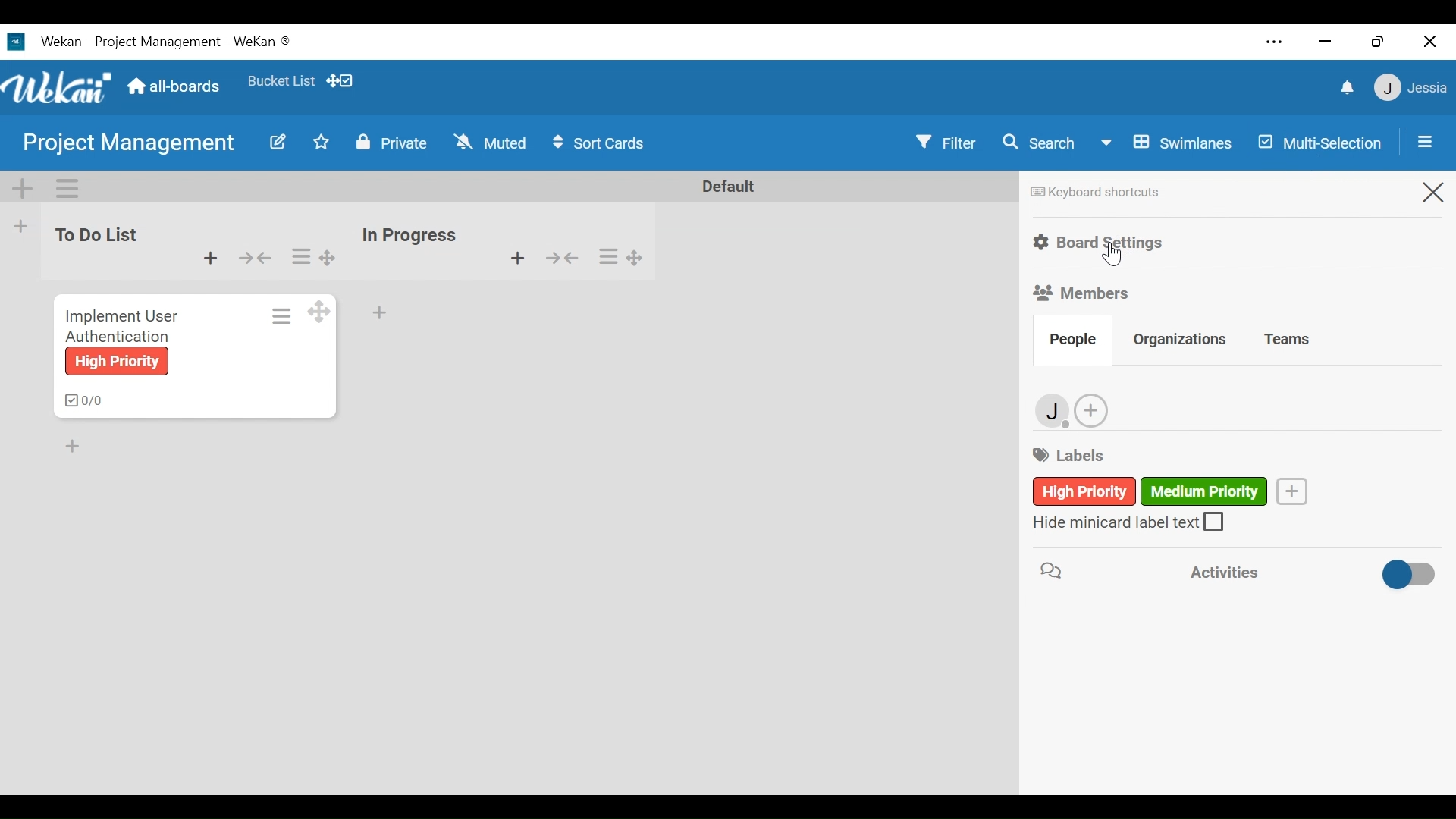  Describe the element at coordinates (318, 312) in the screenshot. I see `Desktop Drag handles` at that location.